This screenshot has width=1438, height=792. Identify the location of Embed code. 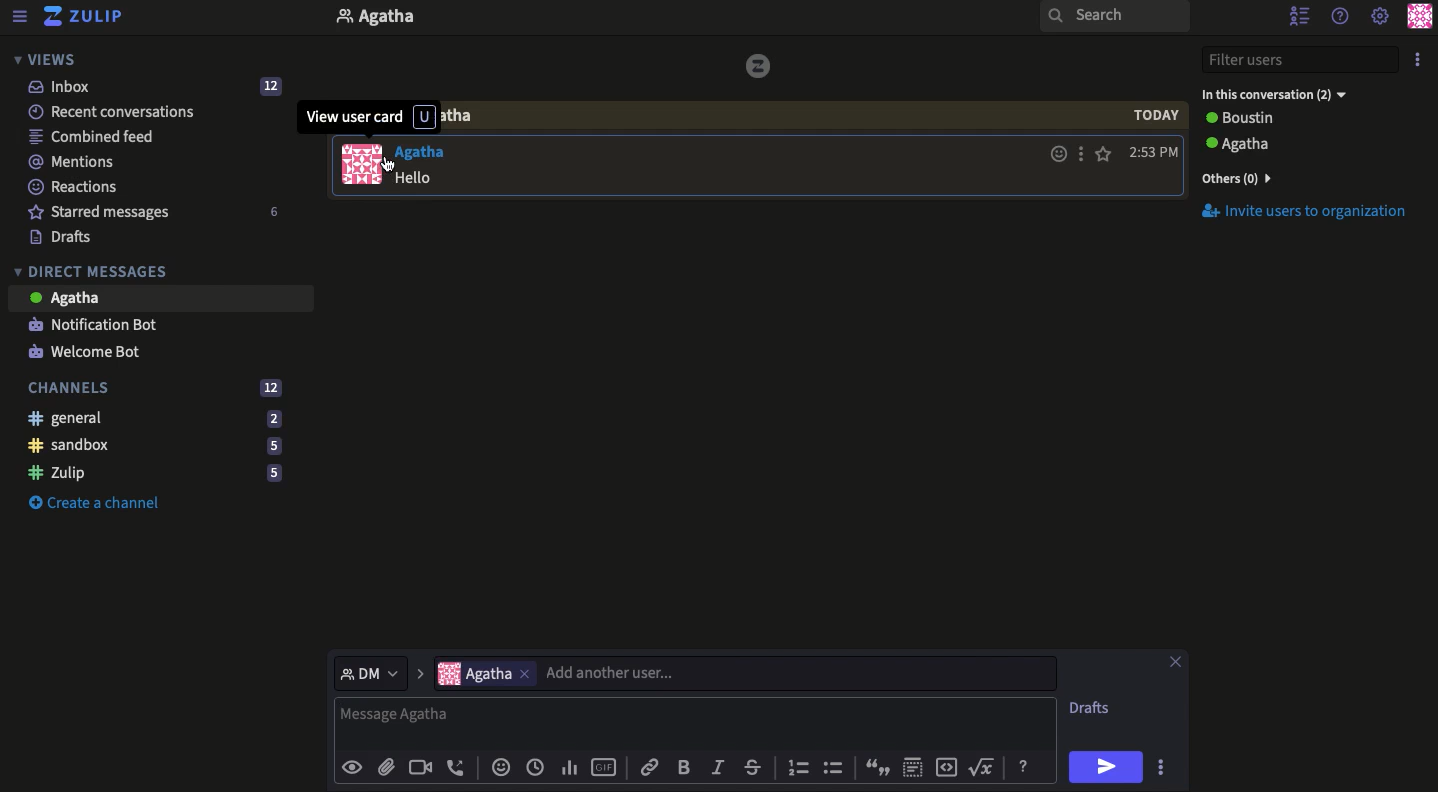
(954, 767).